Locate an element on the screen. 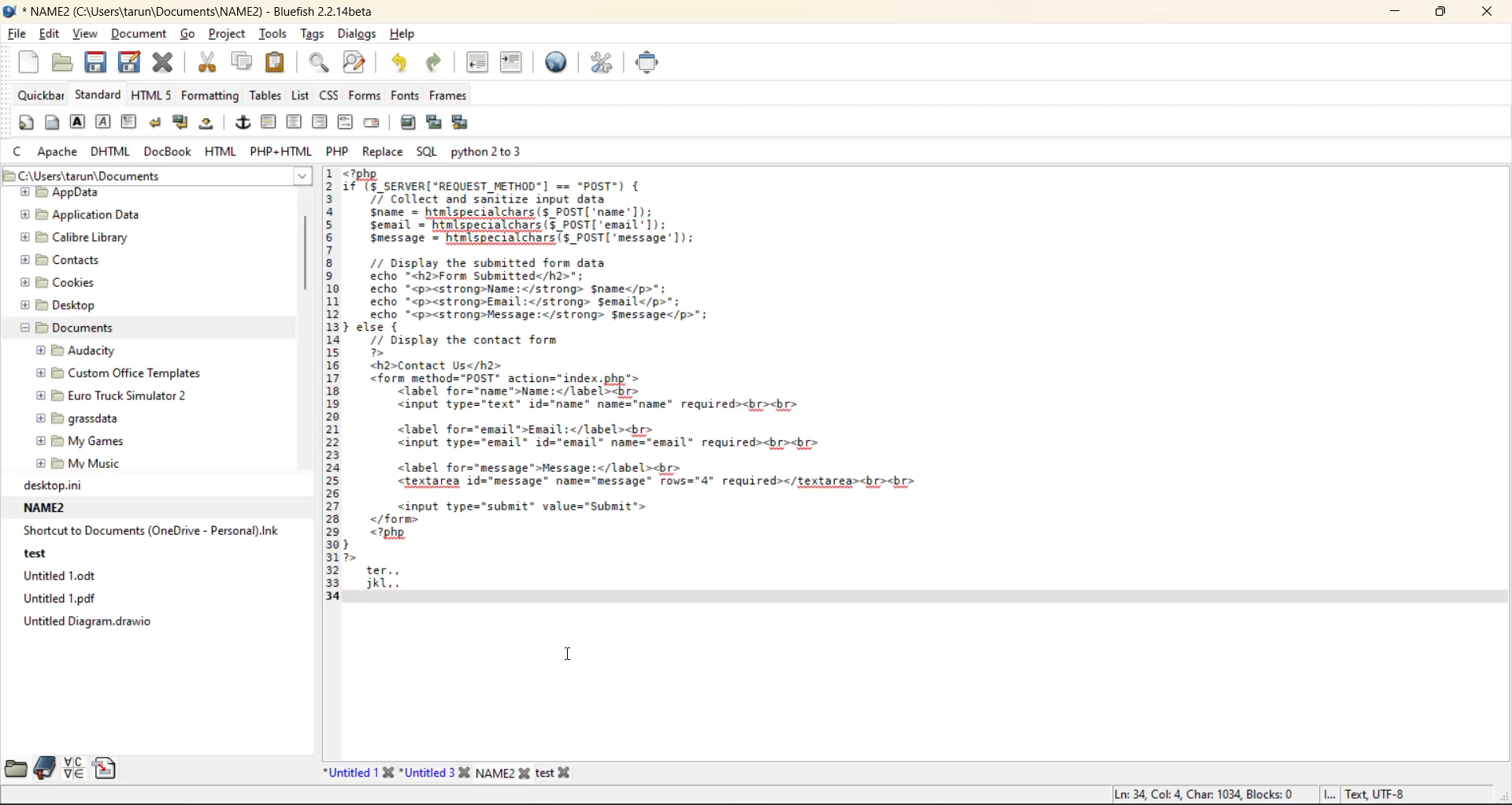  html comment is located at coordinates (348, 123).